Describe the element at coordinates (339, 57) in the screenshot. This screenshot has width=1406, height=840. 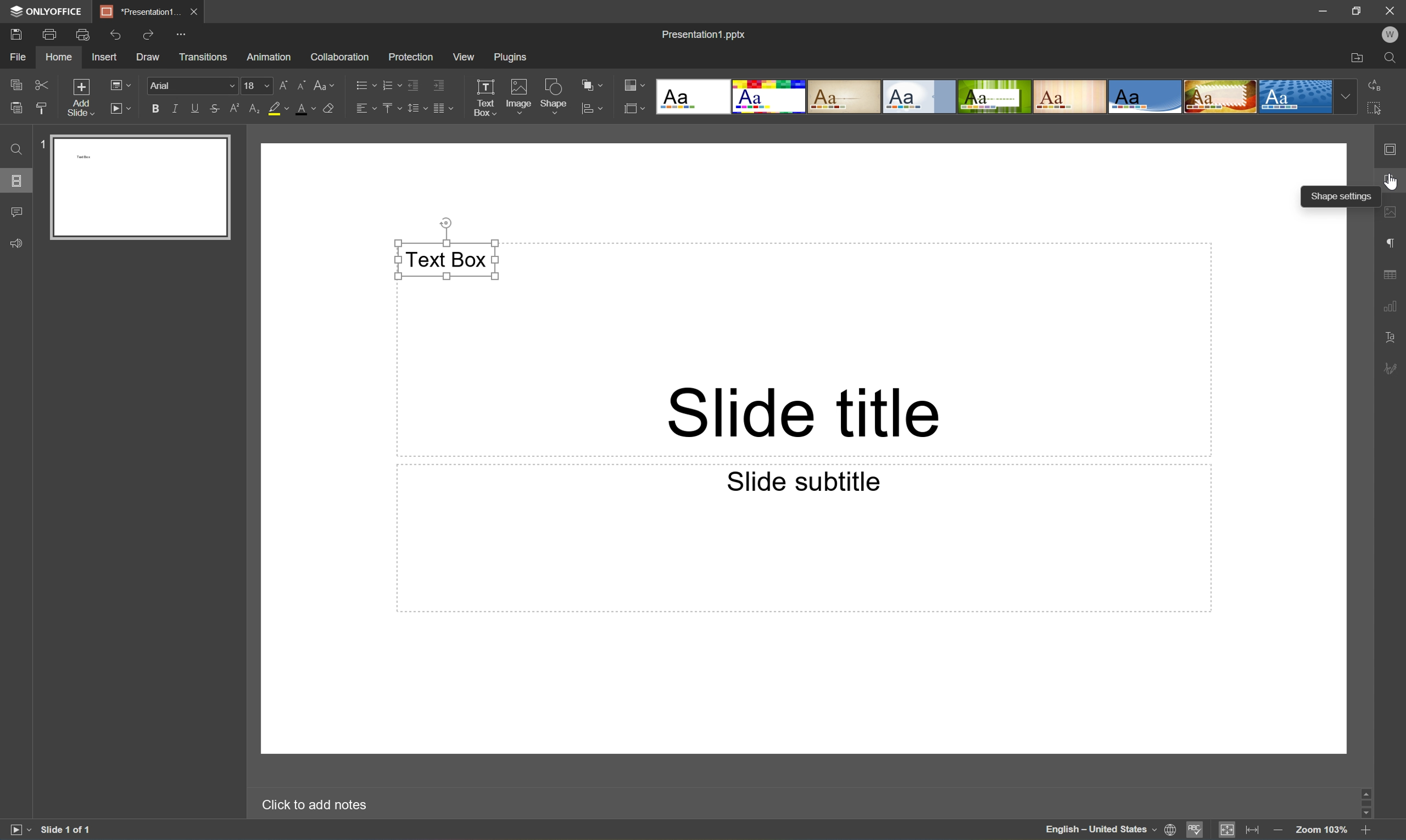
I see `Collaboration` at that location.